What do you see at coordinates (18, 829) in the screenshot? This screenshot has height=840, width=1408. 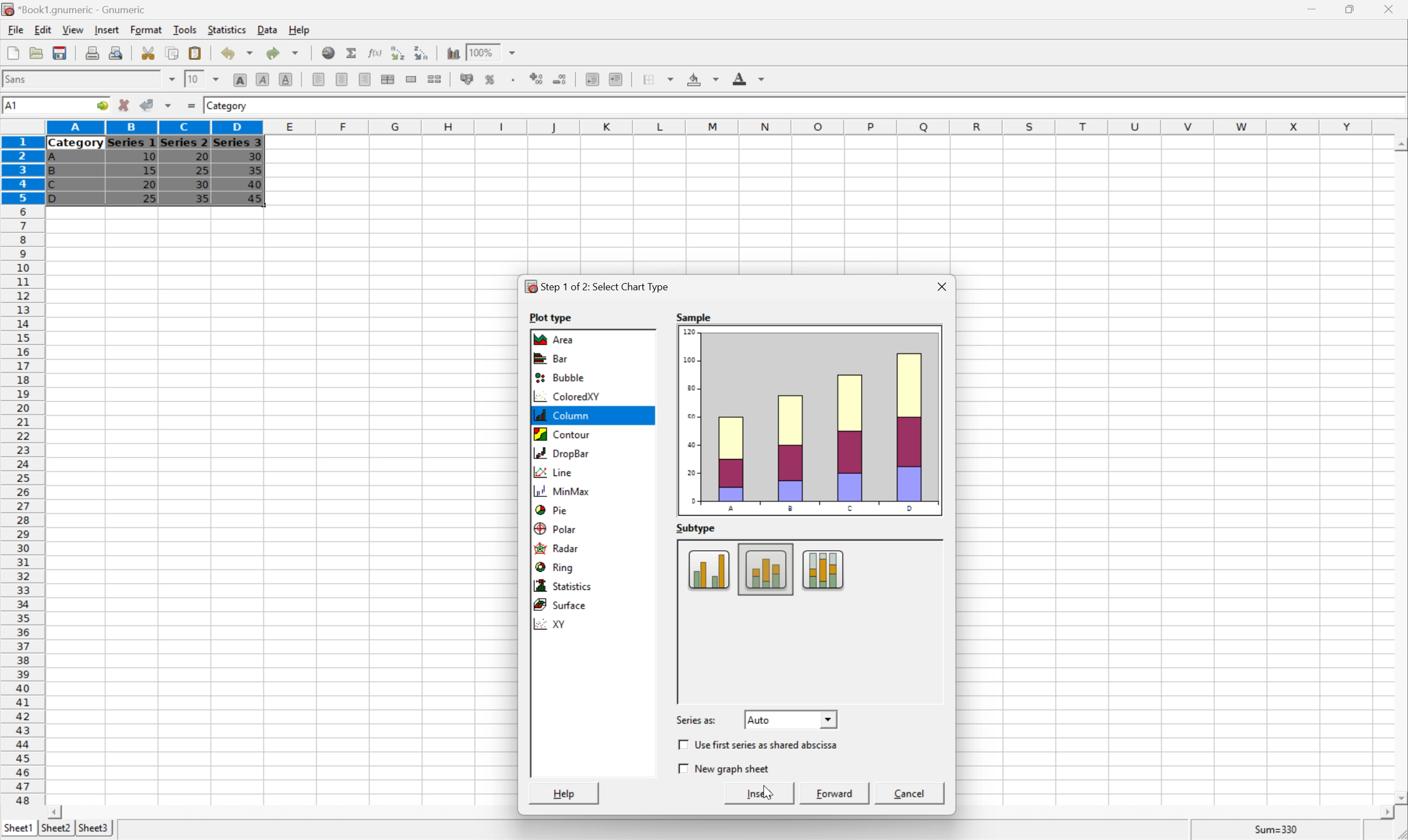 I see `Sheet1` at bounding box center [18, 829].